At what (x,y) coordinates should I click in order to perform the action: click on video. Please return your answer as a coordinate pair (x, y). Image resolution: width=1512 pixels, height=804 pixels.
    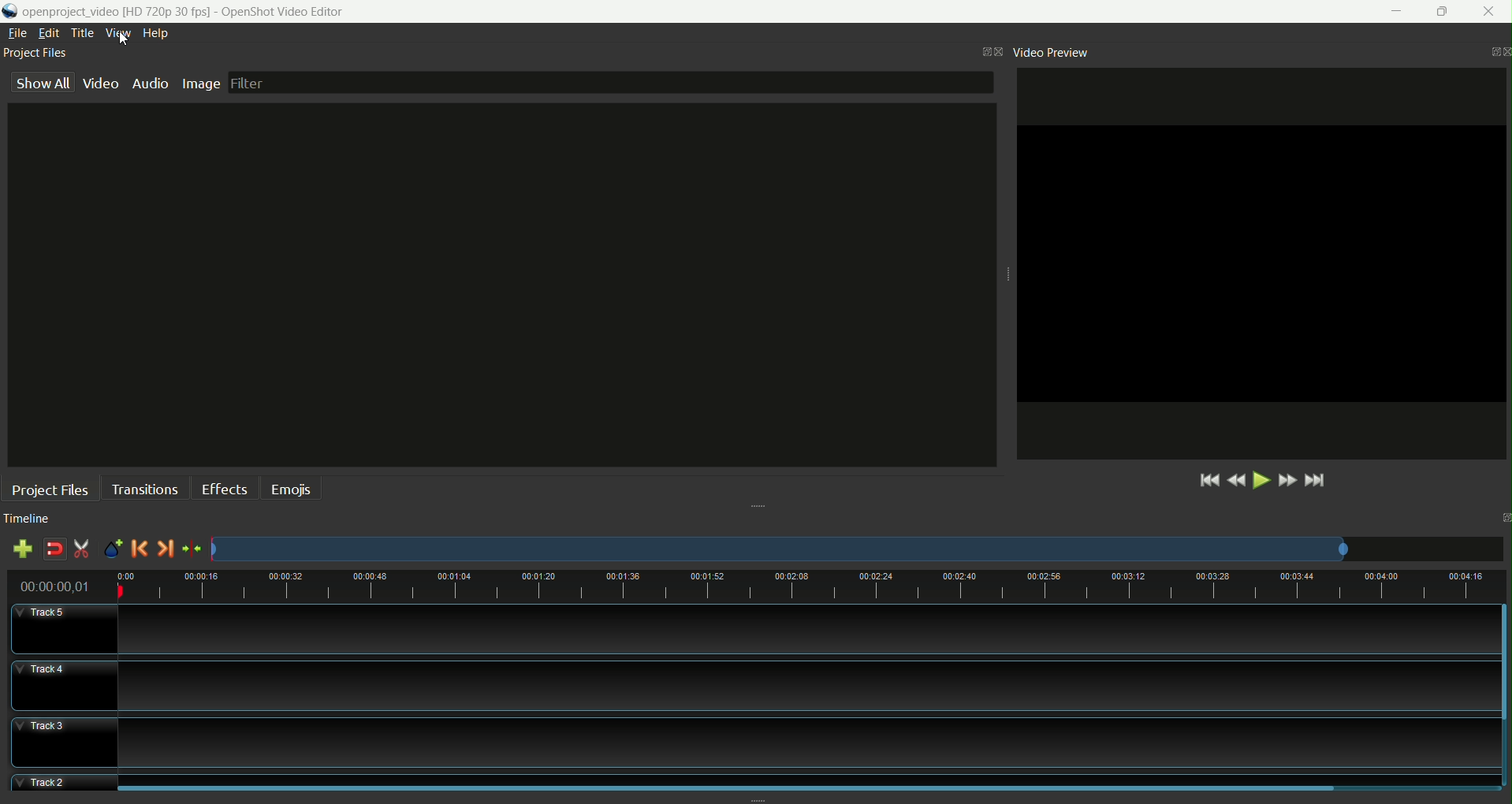
    Looking at the image, I should click on (102, 84).